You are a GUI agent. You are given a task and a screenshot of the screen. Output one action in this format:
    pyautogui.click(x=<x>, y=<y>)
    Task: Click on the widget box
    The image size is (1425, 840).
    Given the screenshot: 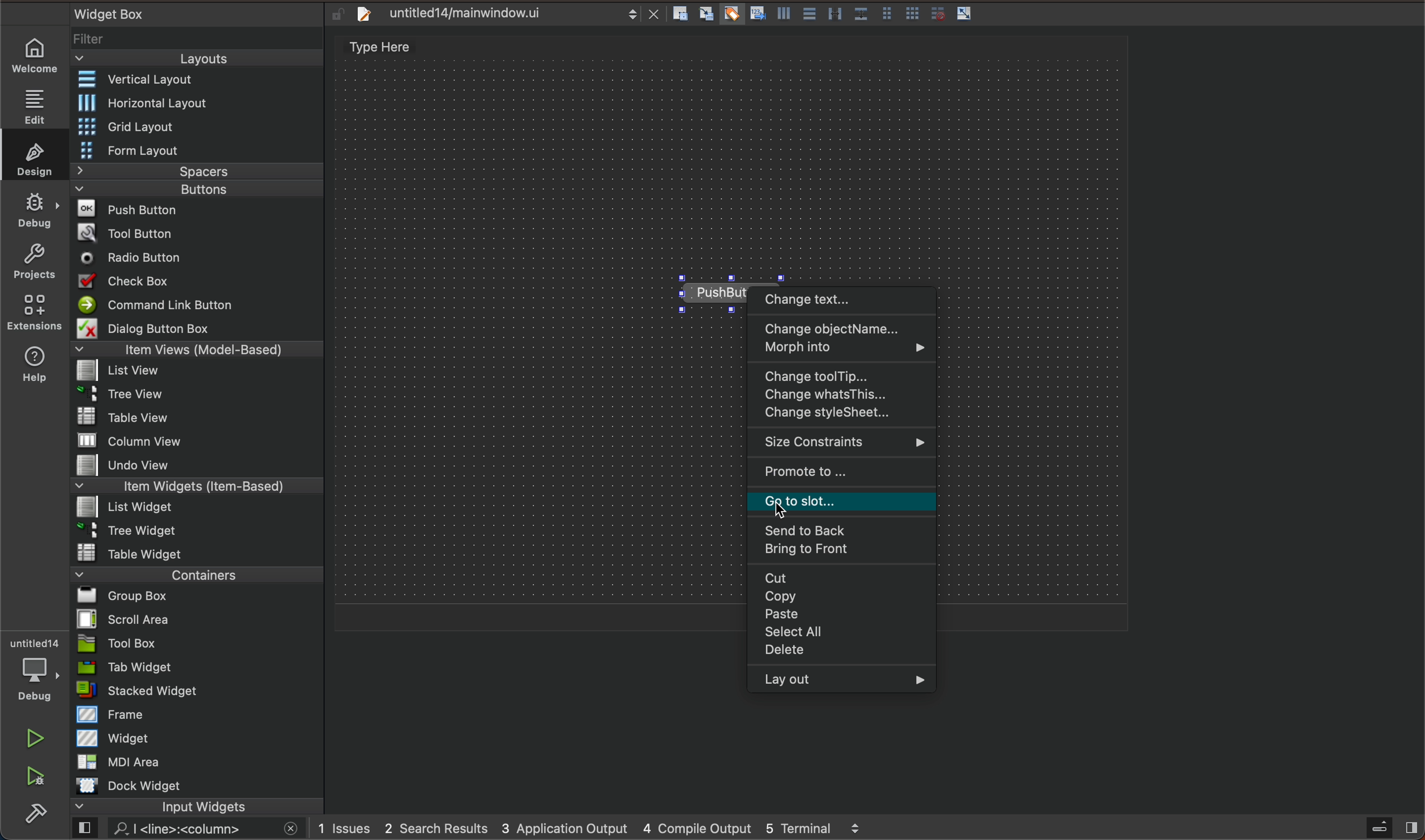 What is the action you would take?
    pyautogui.click(x=144, y=11)
    